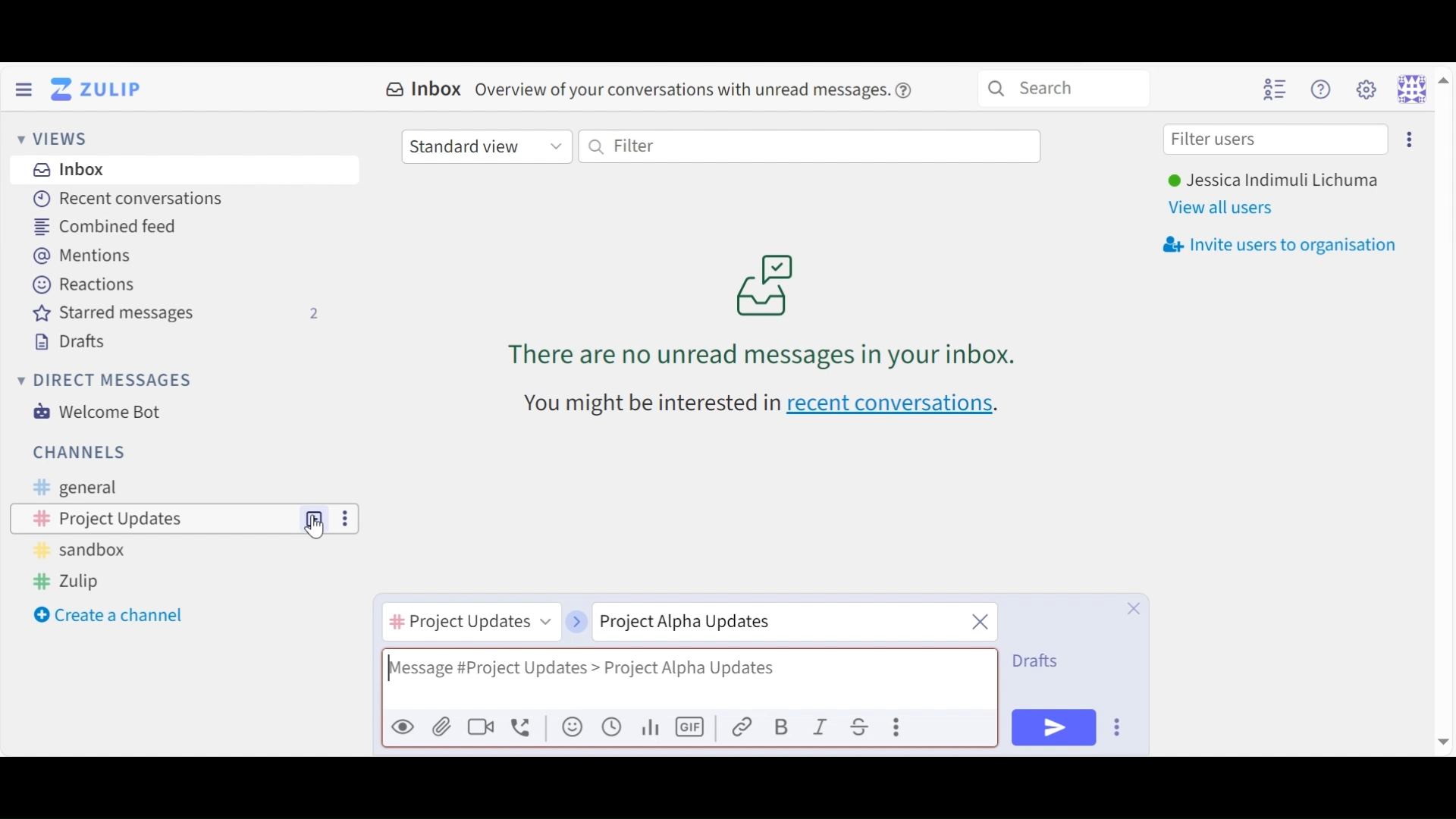  I want to click on Upload File, so click(440, 726).